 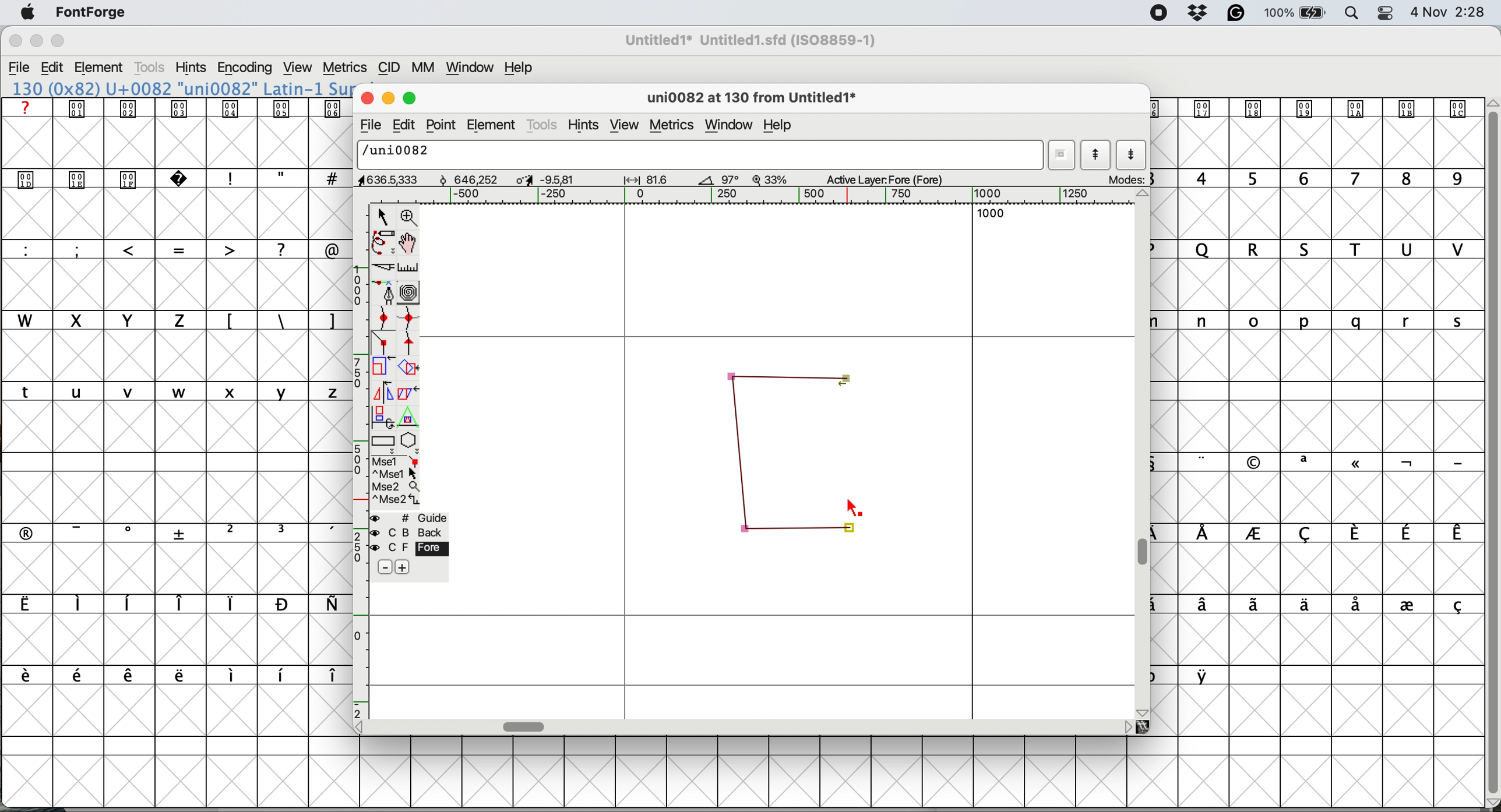 What do you see at coordinates (1327, 321) in the screenshot?
I see `lowercase letters` at bounding box center [1327, 321].